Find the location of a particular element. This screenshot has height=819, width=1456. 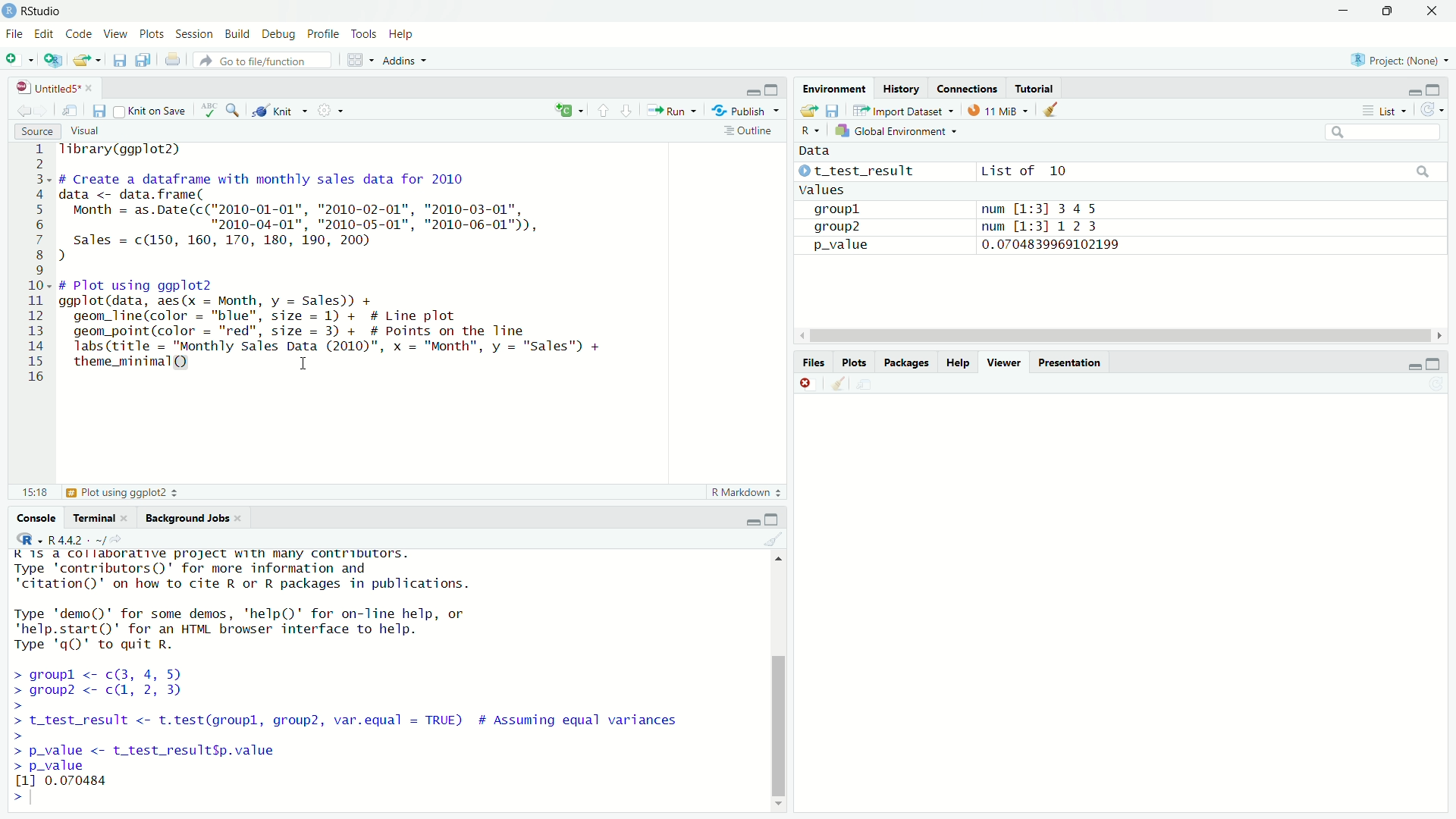

minimise is located at coordinates (1345, 11).